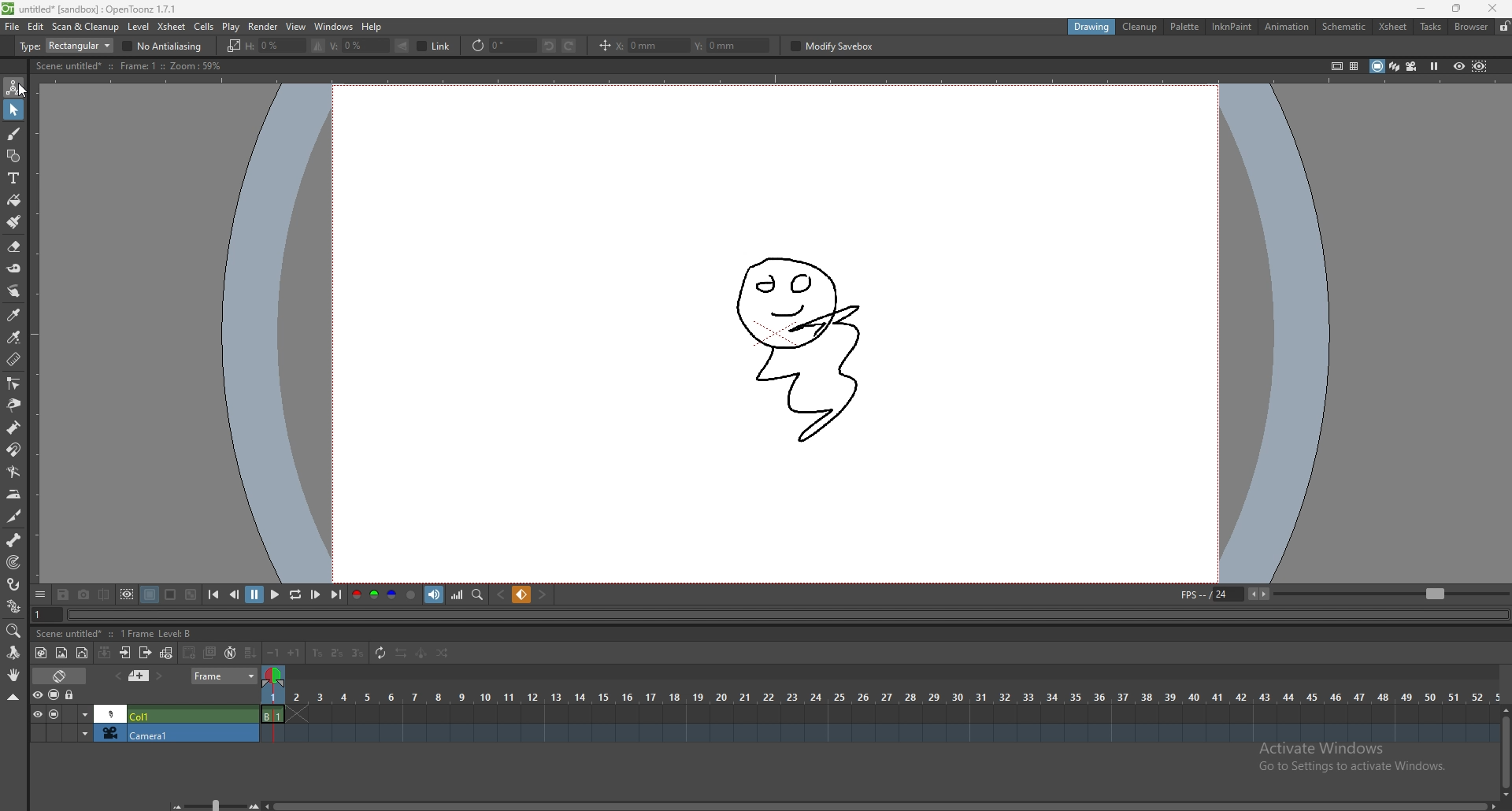  What do you see at coordinates (1505, 749) in the screenshot?
I see `scroll bar` at bounding box center [1505, 749].